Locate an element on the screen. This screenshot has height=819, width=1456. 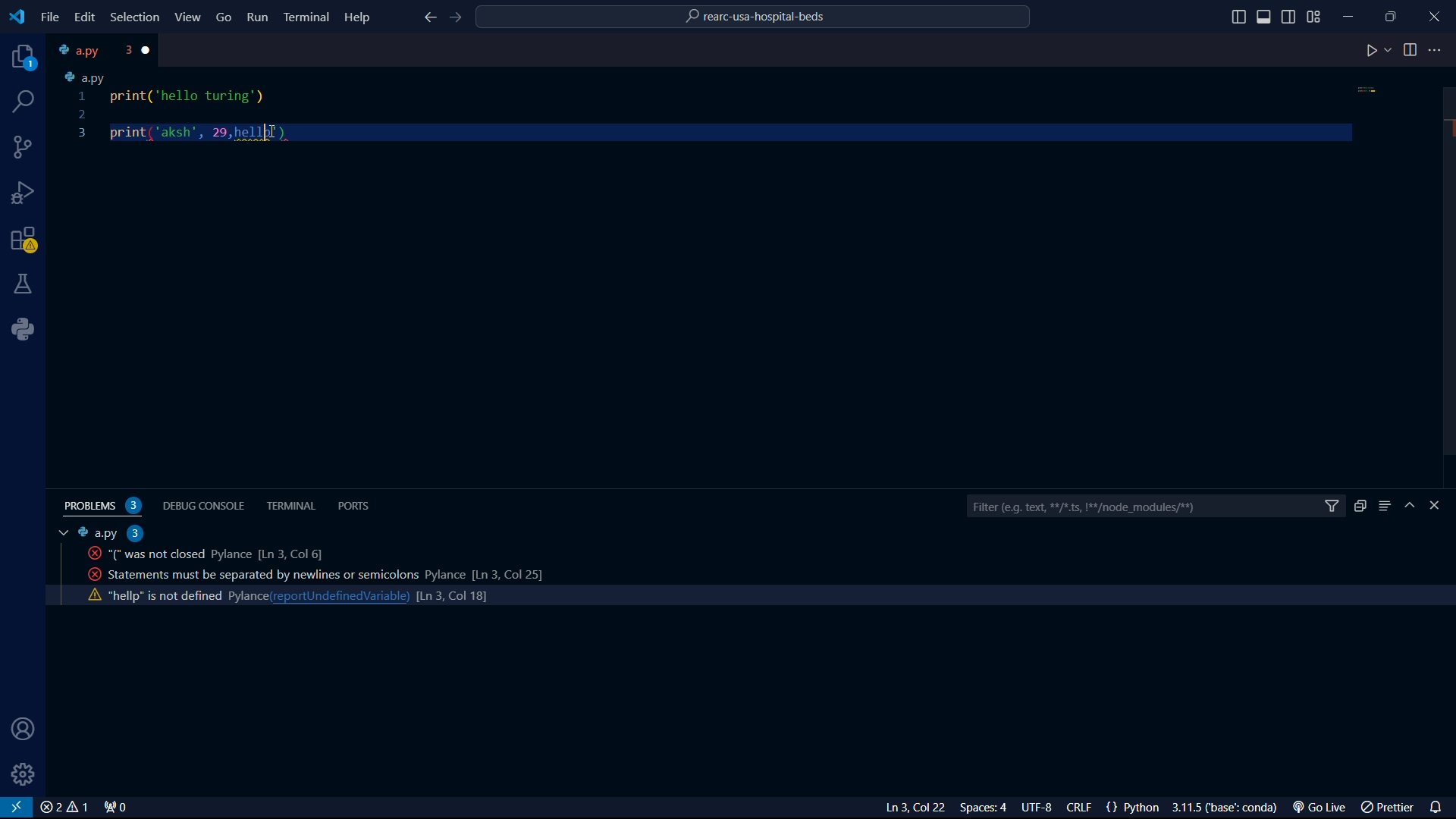
3.1.5 is located at coordinates (1229, 808).